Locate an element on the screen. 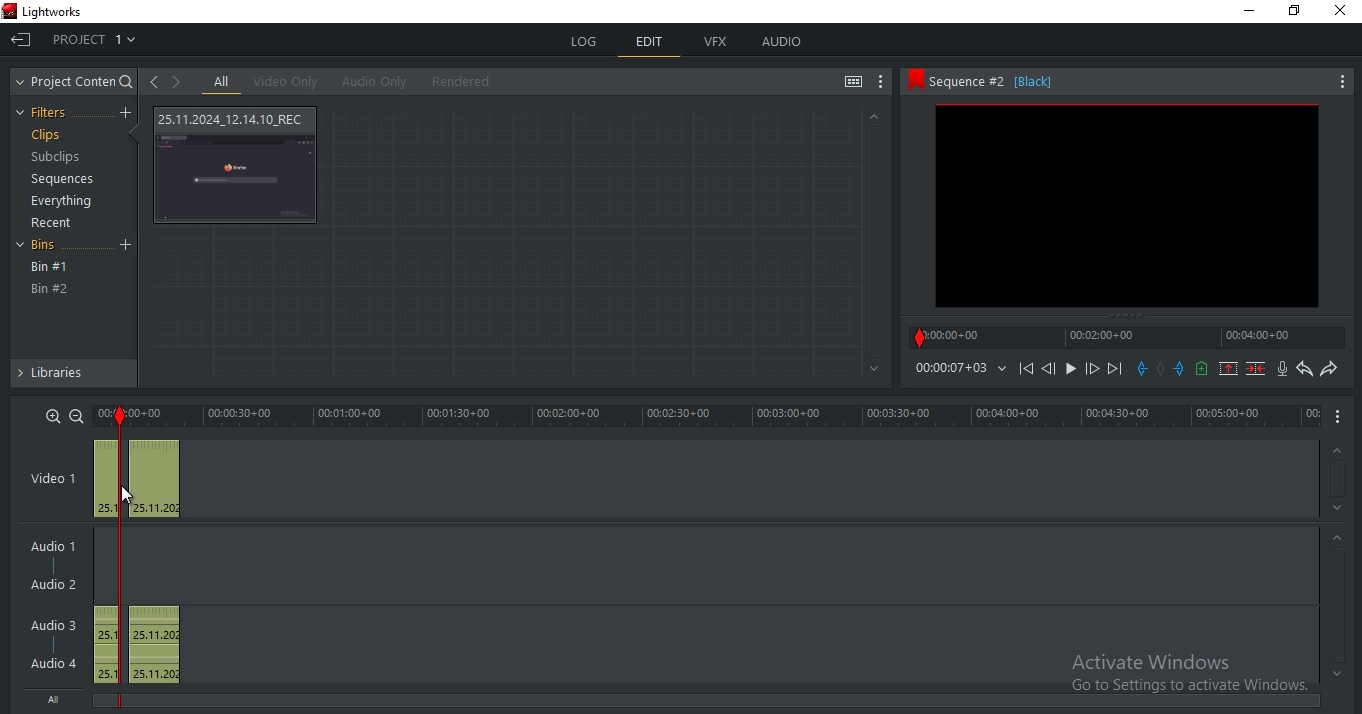 This screenshot has width=1362, height=714. remove marked section is located at coordinates (1229, 368).